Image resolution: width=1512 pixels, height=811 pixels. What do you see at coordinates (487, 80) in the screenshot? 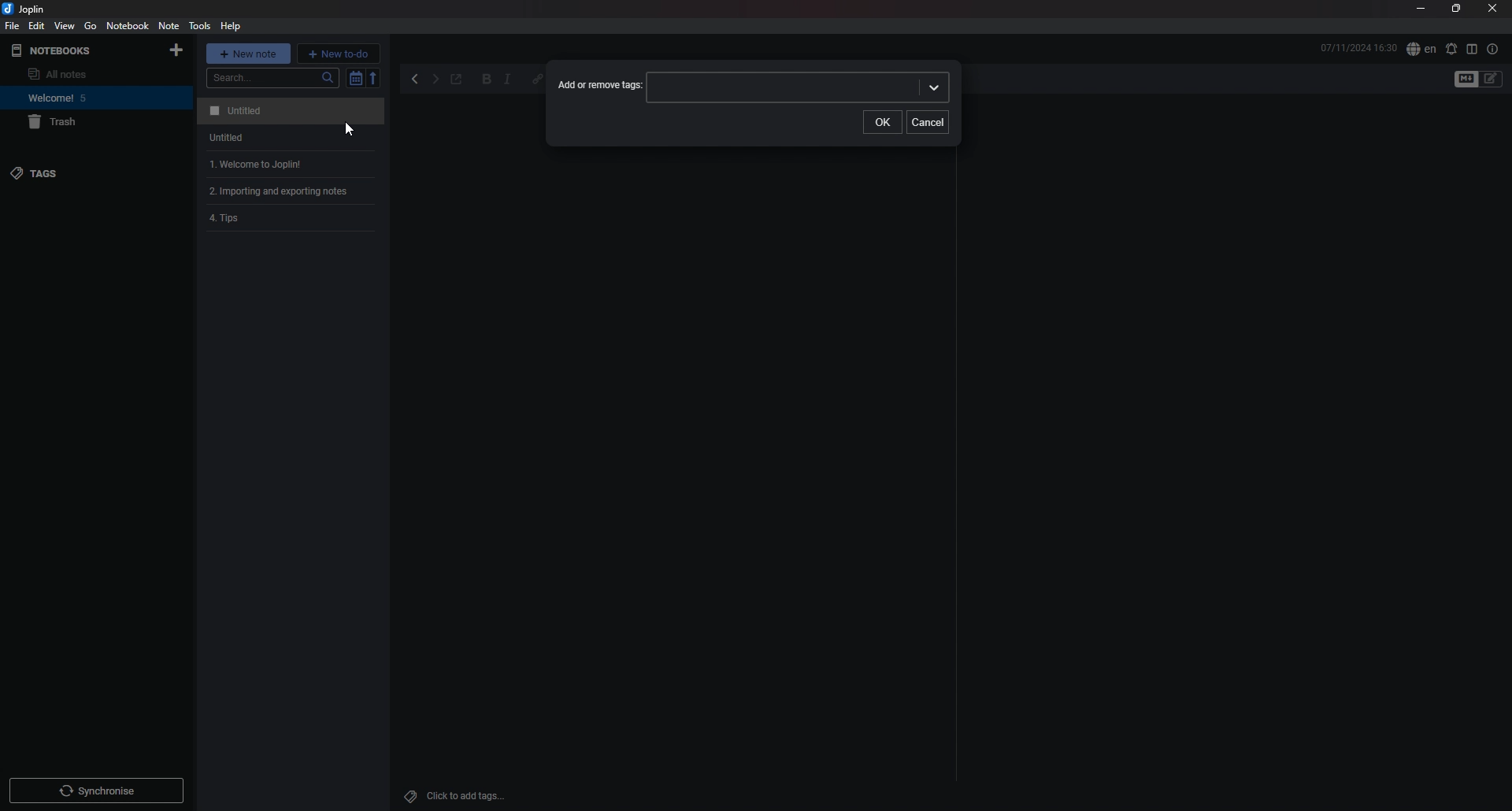
I see `bold` at bounding box center [487, 80].